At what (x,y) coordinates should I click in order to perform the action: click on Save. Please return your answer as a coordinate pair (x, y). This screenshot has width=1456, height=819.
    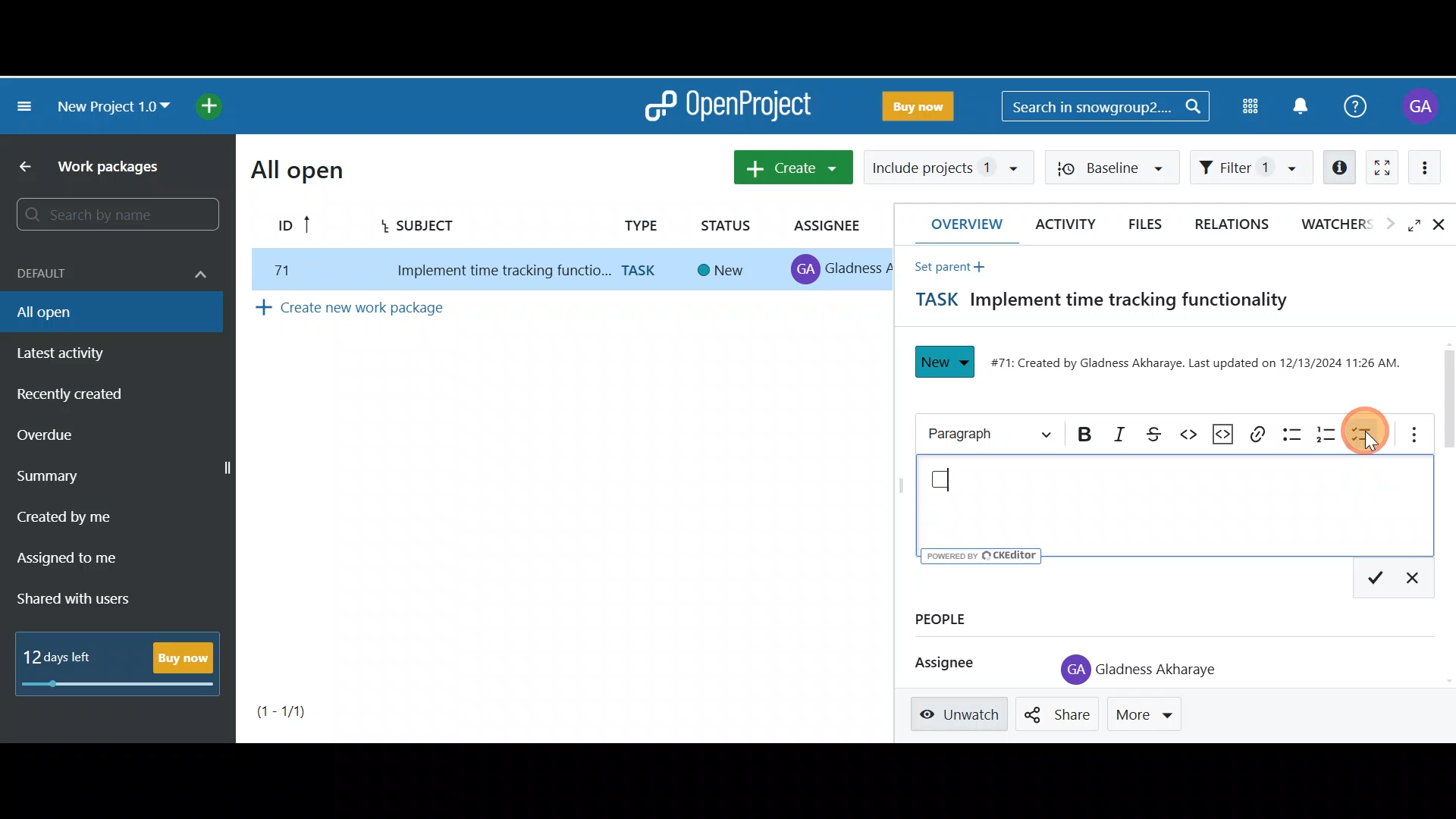
    Looking at the image, I should click on (1375, 579).